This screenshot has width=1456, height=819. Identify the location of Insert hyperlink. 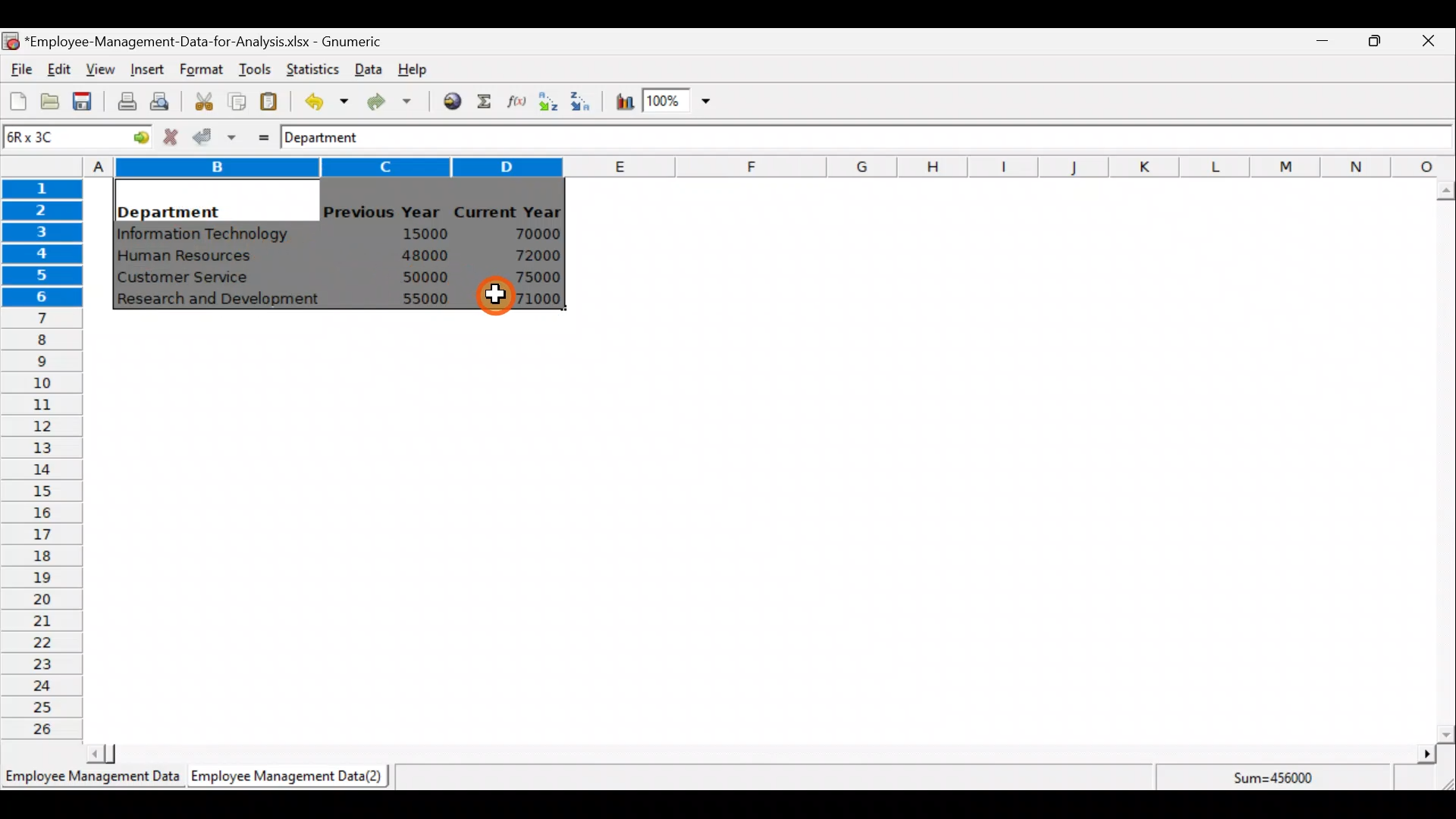
(447, 100).